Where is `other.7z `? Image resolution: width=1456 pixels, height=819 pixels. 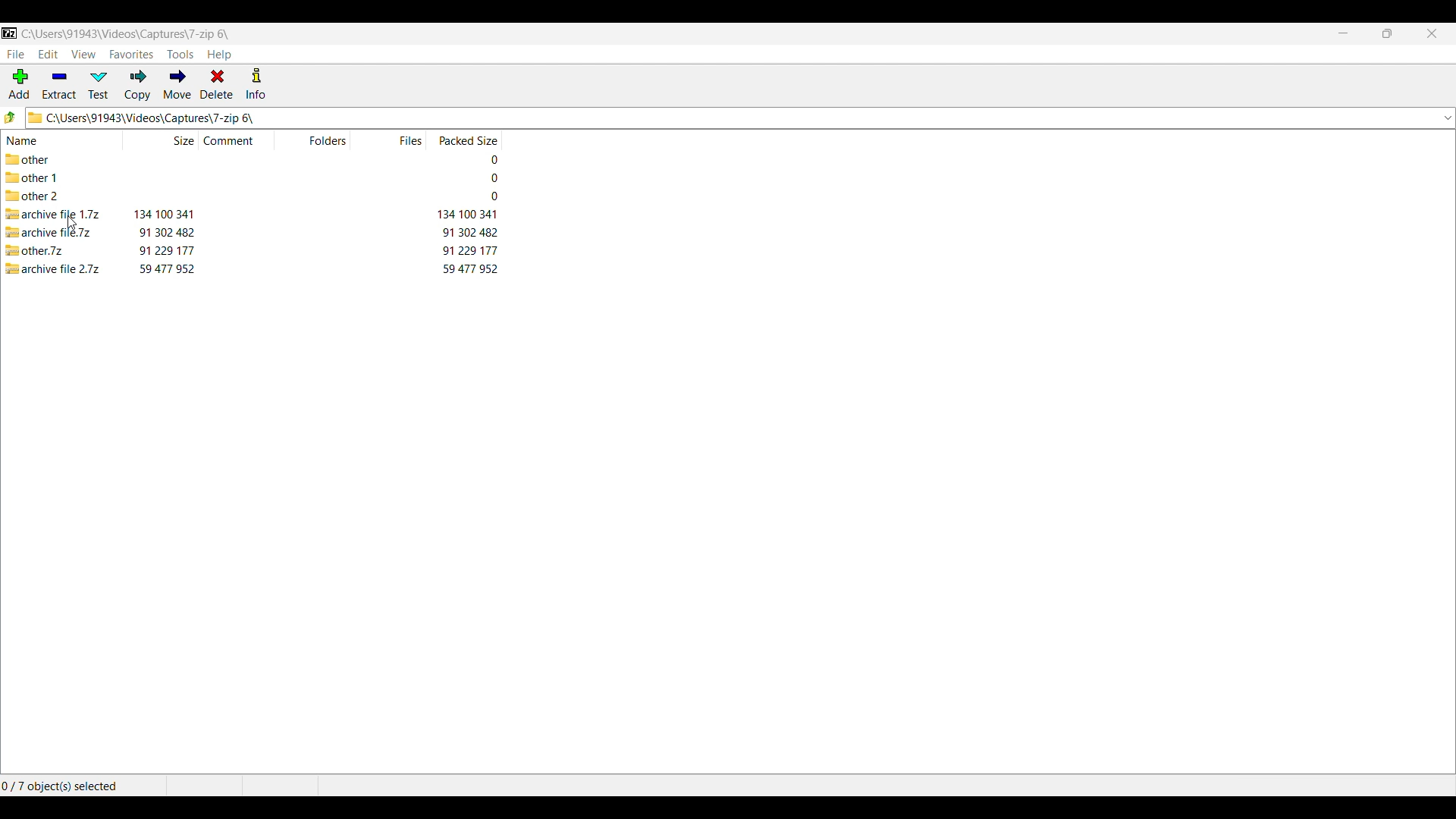 other.7z  is located at coordinates (39, 249).